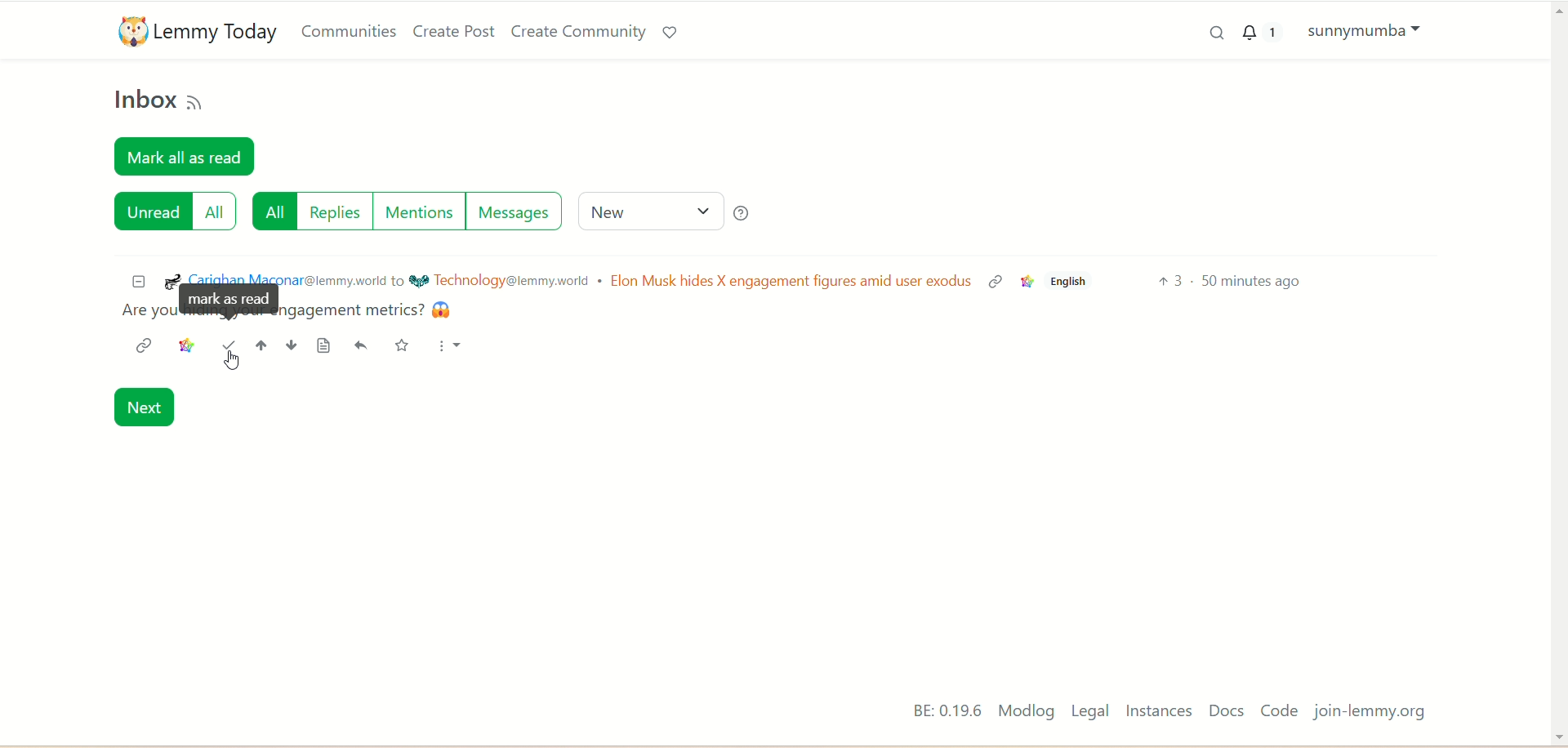 This screenshot has width=1568, height=748. What do you see at coordinates (188, 155) in the screenshot?
I see `mark all as read` at bounding box center [188, 155].